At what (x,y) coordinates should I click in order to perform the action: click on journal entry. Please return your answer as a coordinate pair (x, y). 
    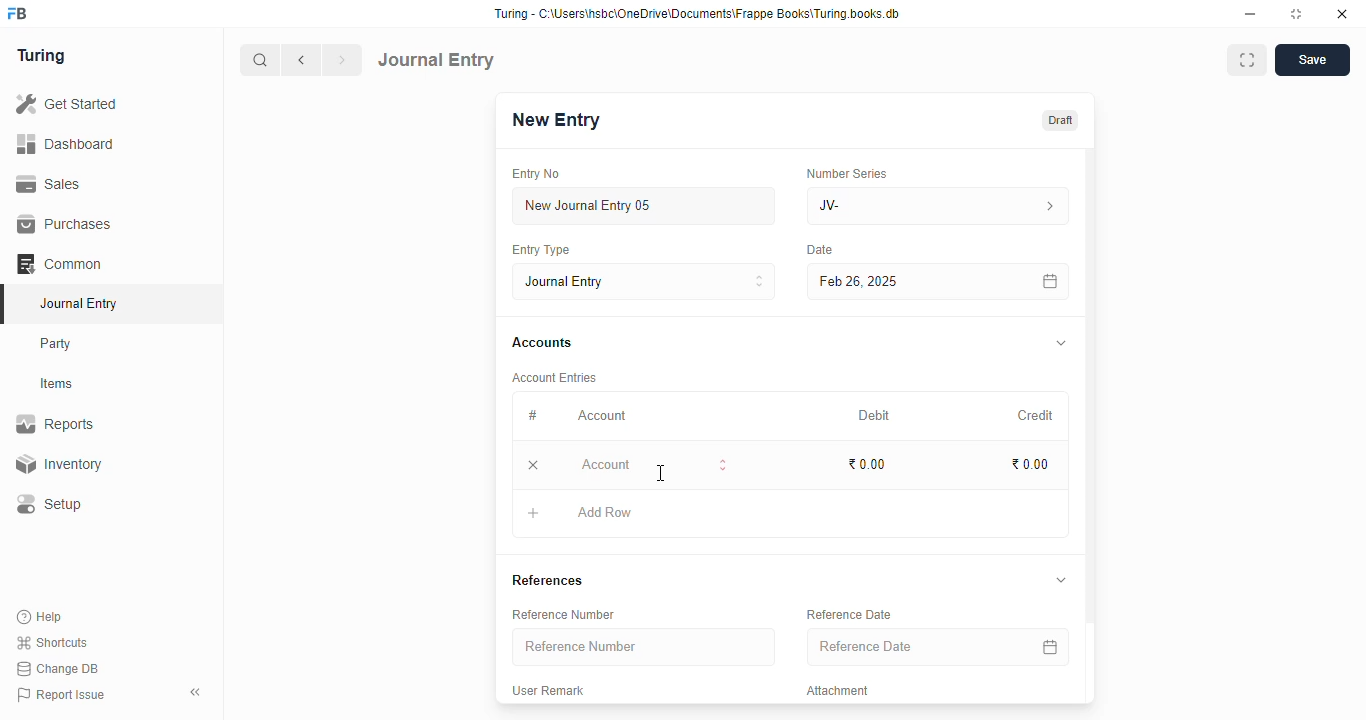
    Looking at the image, I should click on (645, 281).